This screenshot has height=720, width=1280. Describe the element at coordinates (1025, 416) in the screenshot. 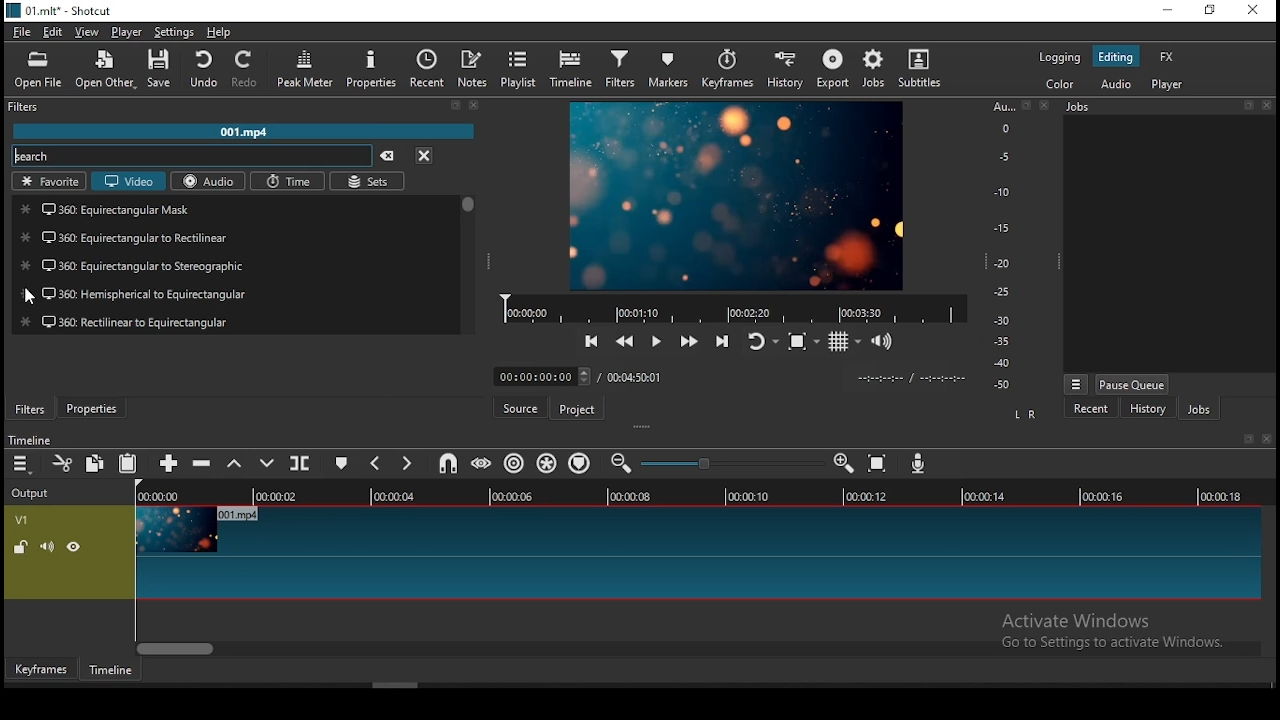

I see `L R` at that location.